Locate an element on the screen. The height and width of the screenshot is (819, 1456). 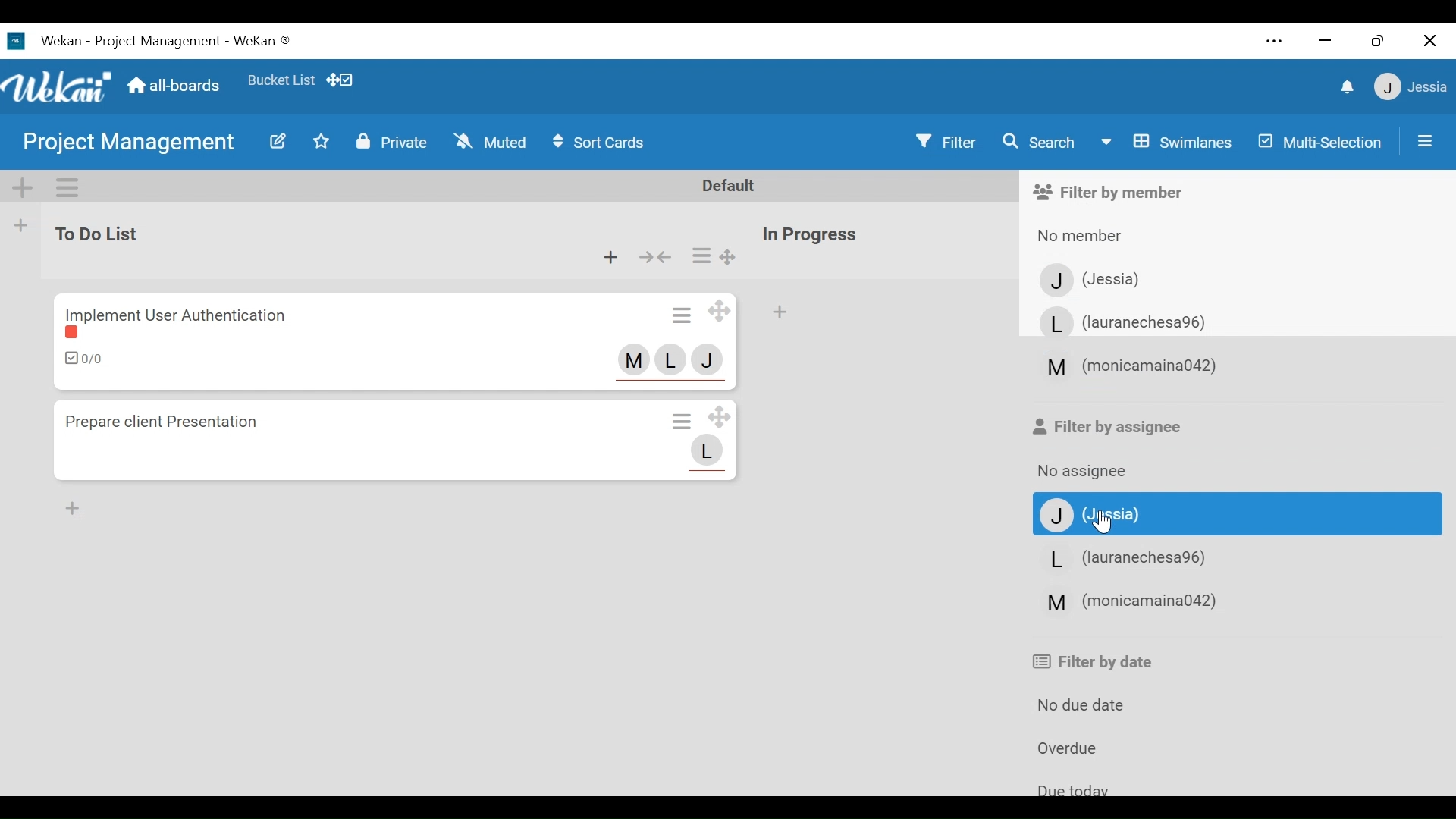
Member is located at coordinates (1147, 561).